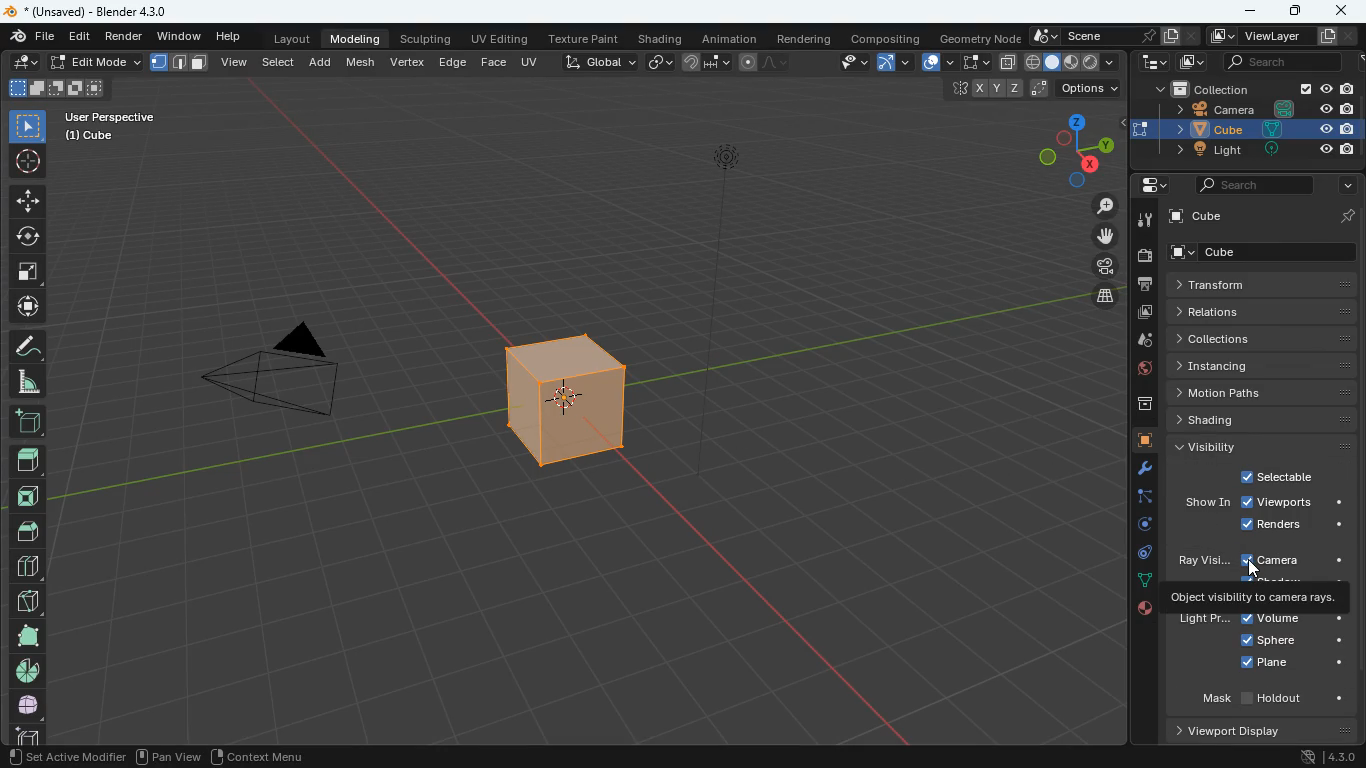 The image size is (1366, 768). Describe the element at coordinates (501, 40) in the screenshot. I see `uv editing` at that location.